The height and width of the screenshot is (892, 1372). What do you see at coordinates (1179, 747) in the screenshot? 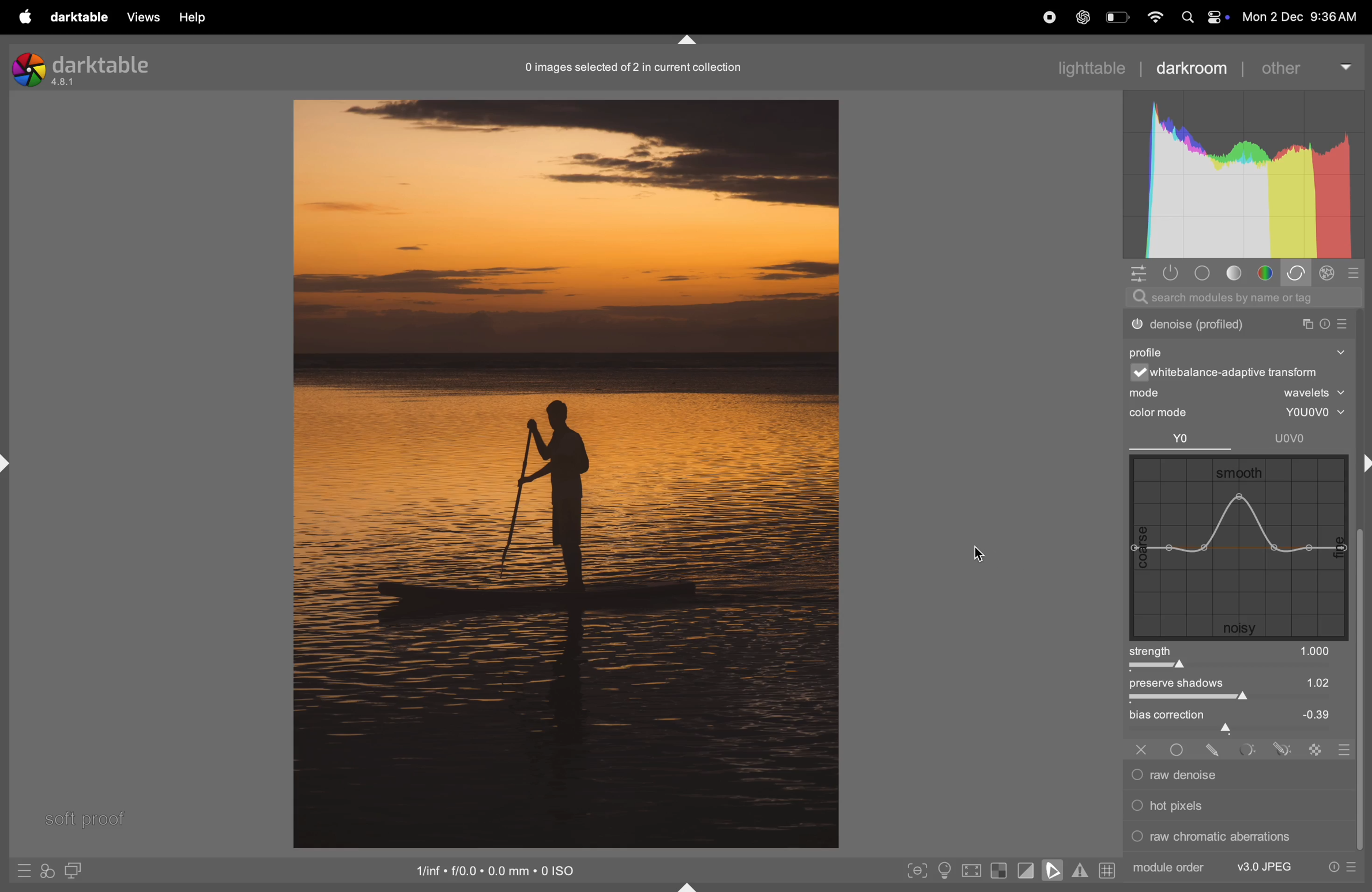
I see `` at bounding box center [1179, 747].